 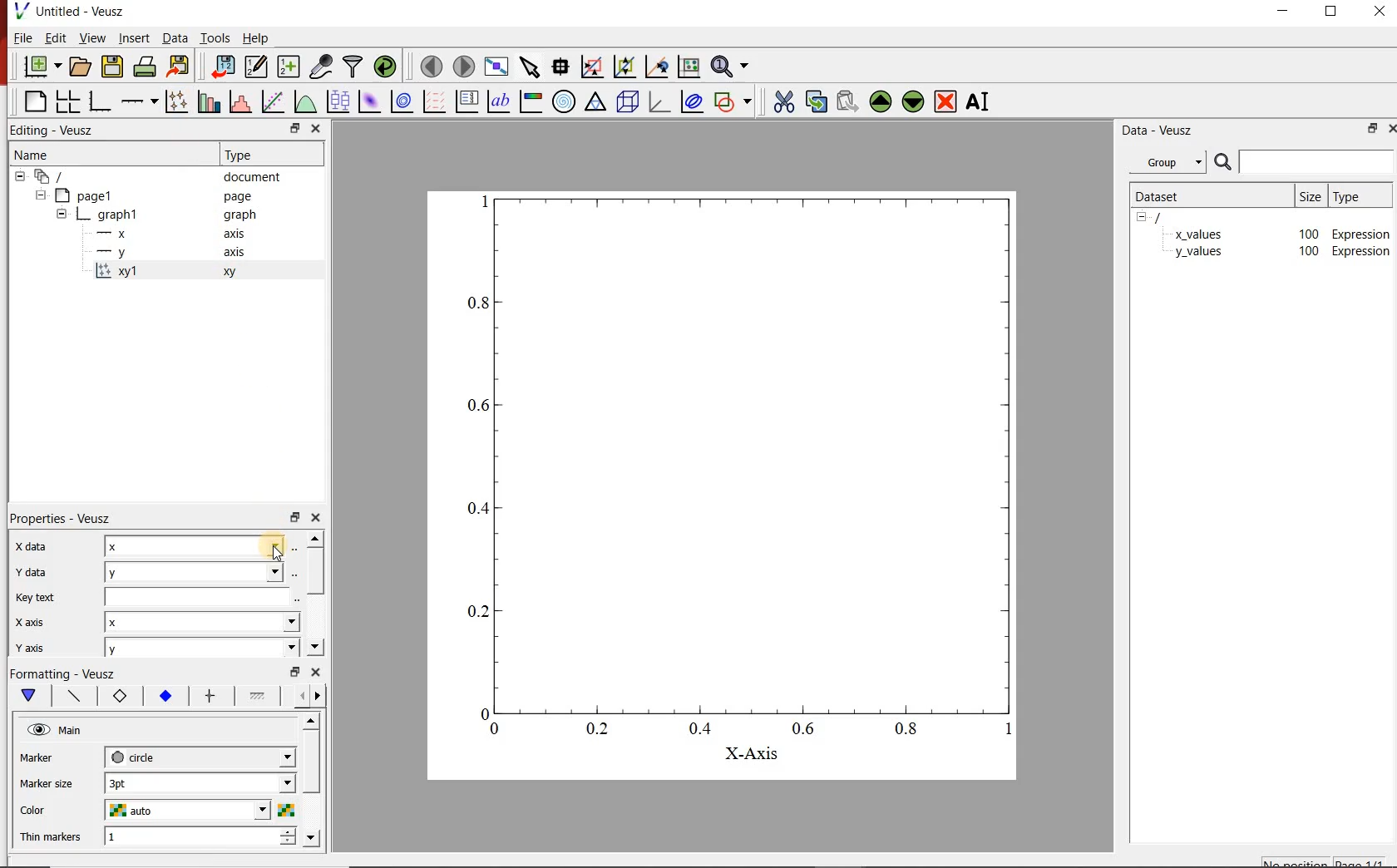 I want to click on click to reset graph axes, so click(x=688, y=67).